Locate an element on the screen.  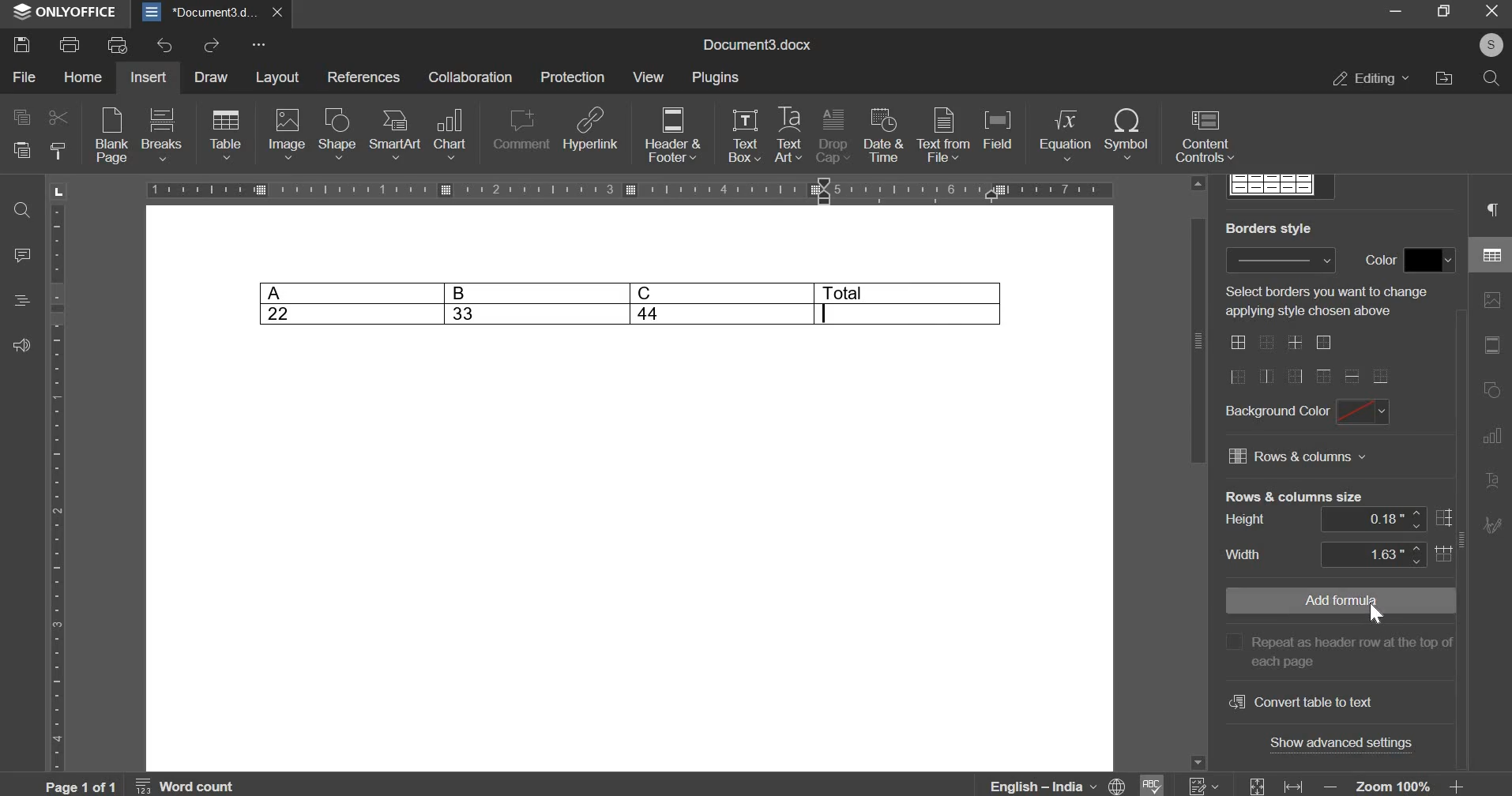
cursor is located at coordinates (1376, 616).